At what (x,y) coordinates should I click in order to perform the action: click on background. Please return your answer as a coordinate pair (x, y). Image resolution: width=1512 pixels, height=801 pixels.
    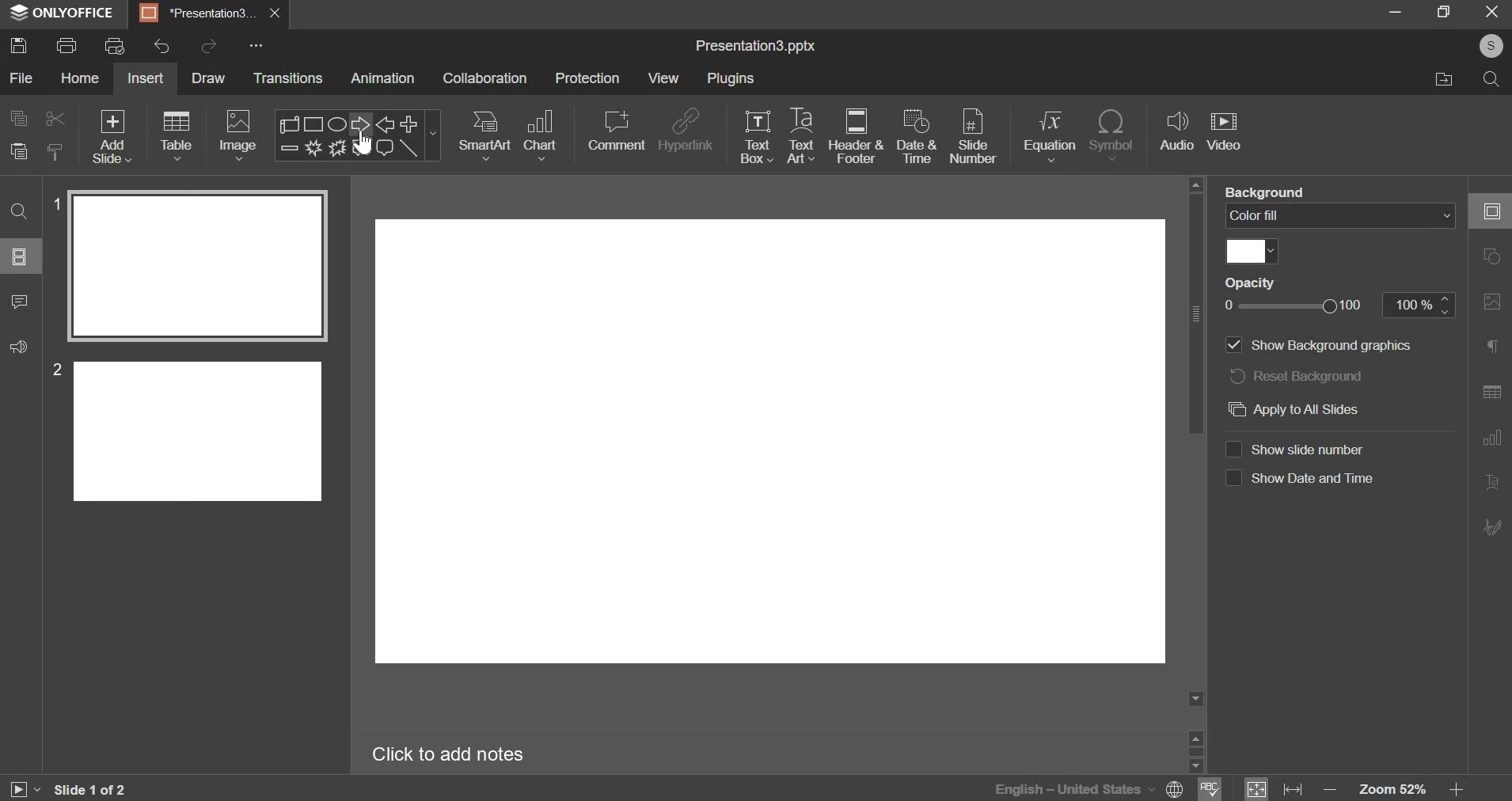
    Looking at the image, I should click on (1266, 191).